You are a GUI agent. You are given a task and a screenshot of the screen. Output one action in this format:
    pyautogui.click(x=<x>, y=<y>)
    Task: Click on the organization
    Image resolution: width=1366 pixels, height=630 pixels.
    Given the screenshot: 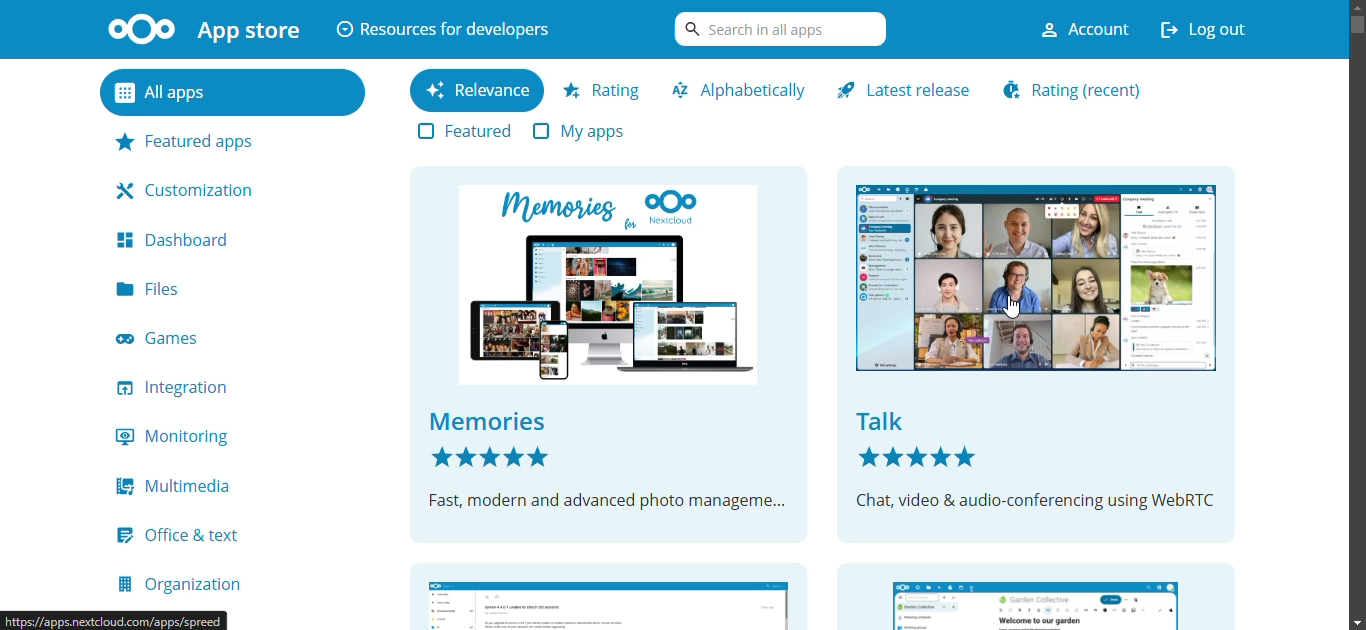 What is the action you would take?
    pyautogui.click(x=183, y=584)
    